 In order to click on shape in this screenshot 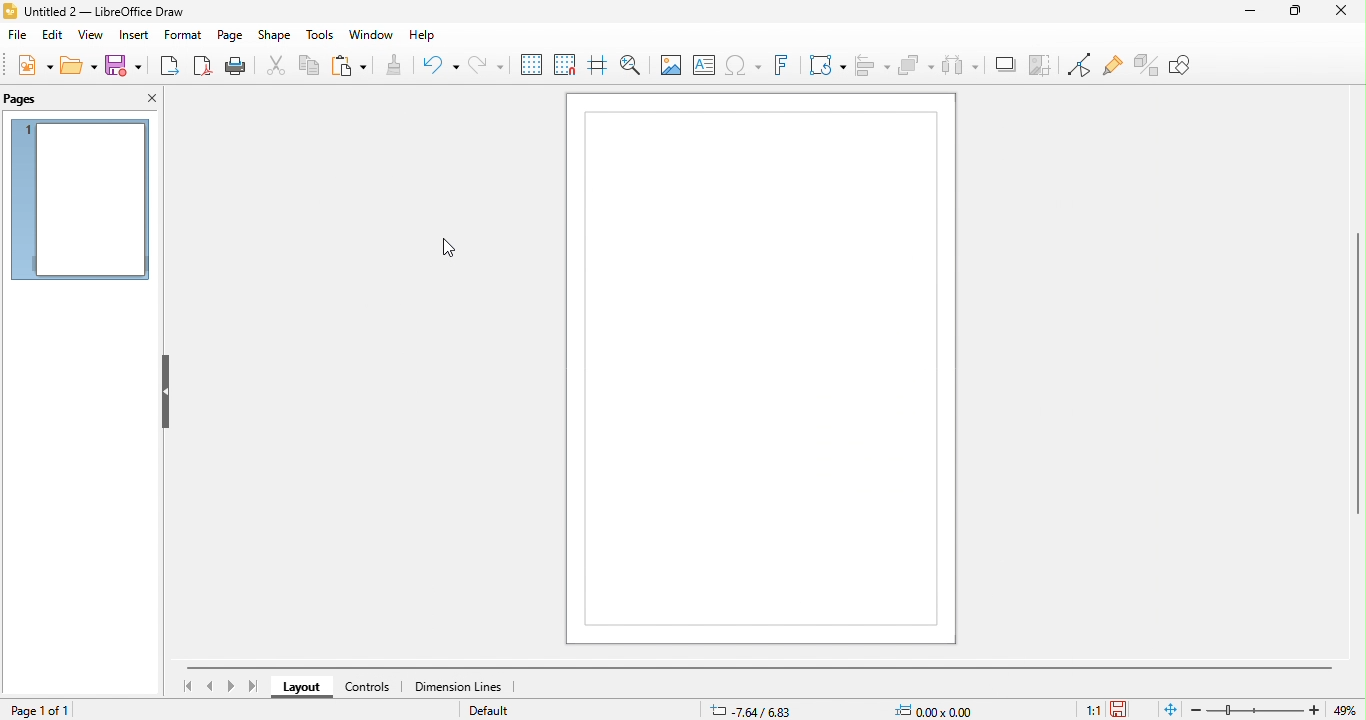, I will do `click(275, 36)`.